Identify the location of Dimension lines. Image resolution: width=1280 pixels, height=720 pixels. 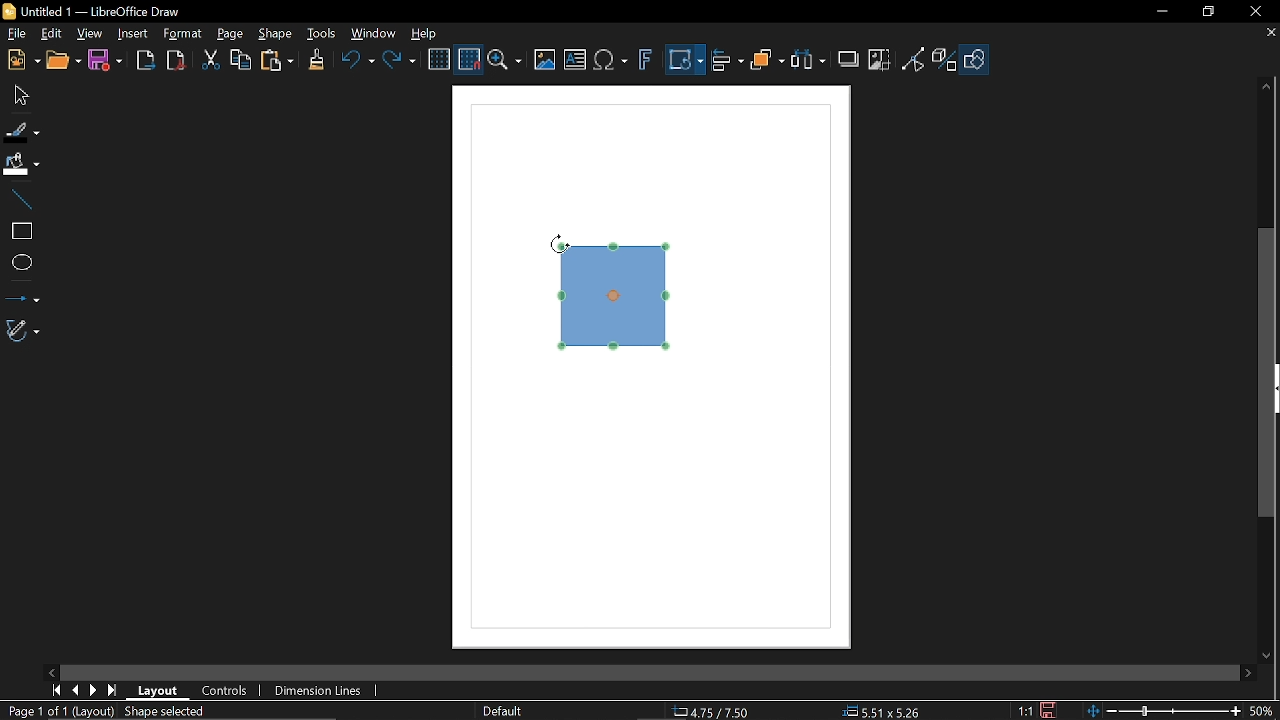
(314, 690).